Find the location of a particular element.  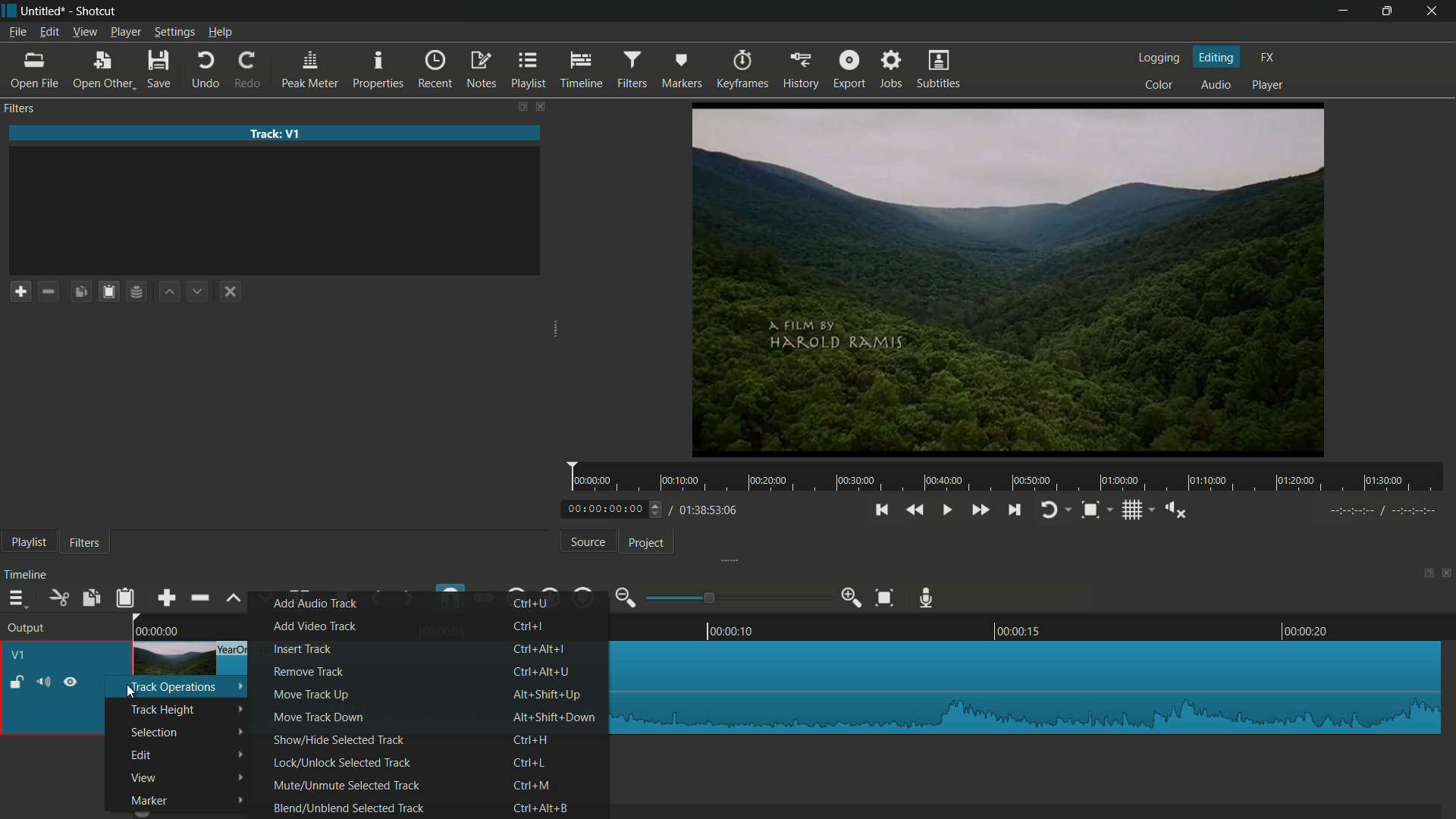

move track down is located at coordinates (316, 717).